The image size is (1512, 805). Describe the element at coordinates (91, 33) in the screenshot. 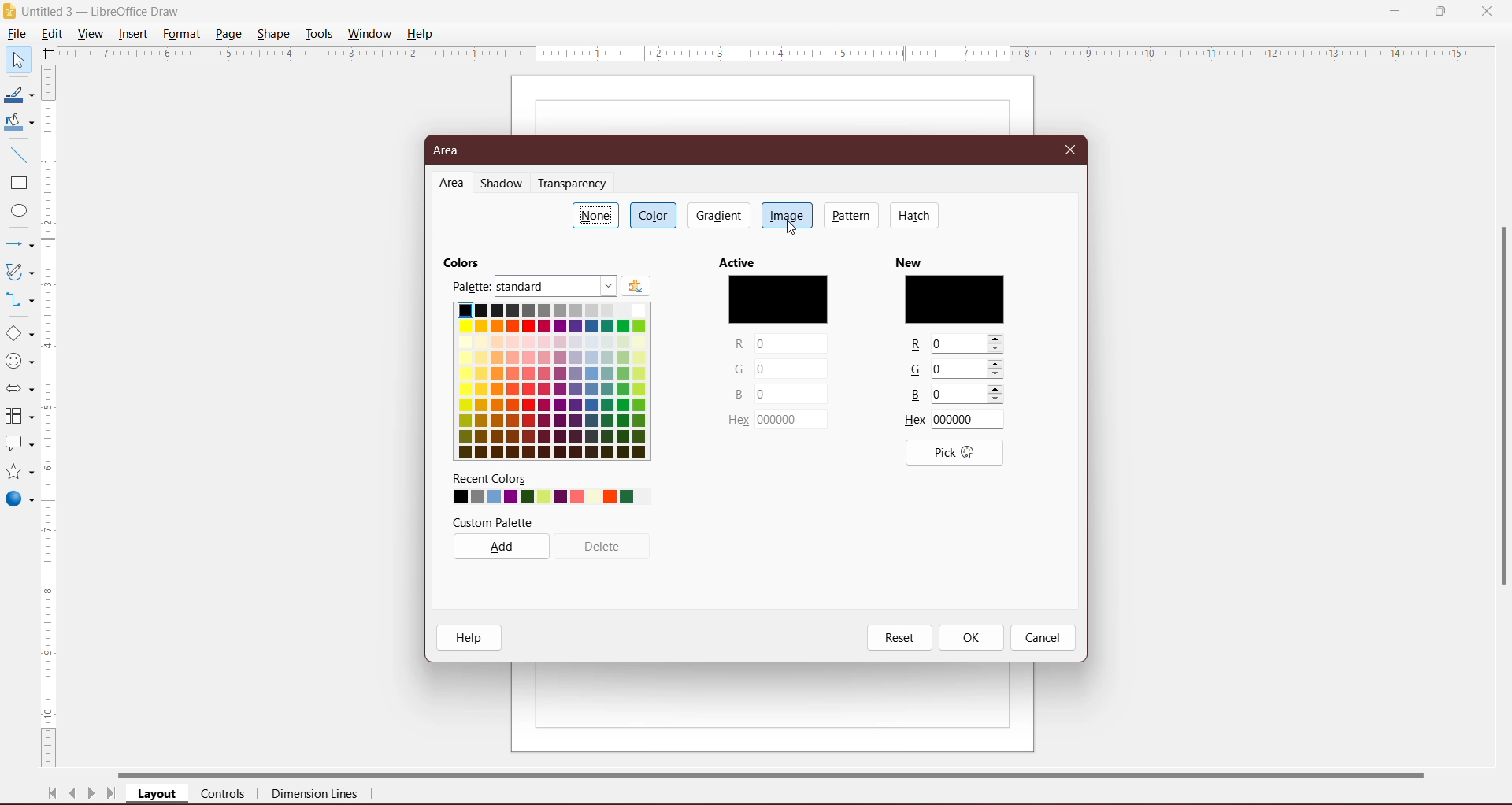

I see `View` at that location.